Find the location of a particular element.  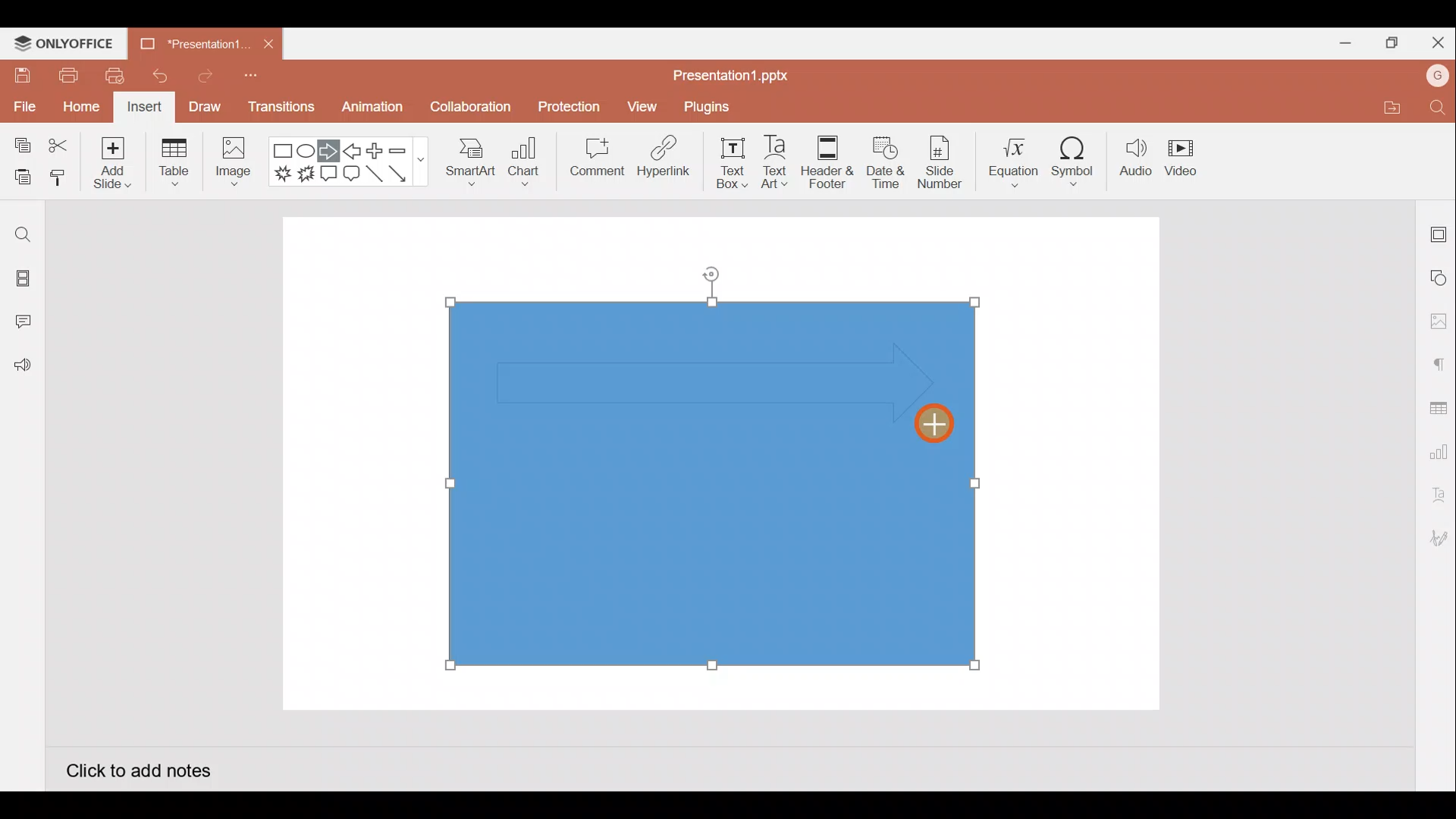

Arrow is located at coordinates (406, 174).